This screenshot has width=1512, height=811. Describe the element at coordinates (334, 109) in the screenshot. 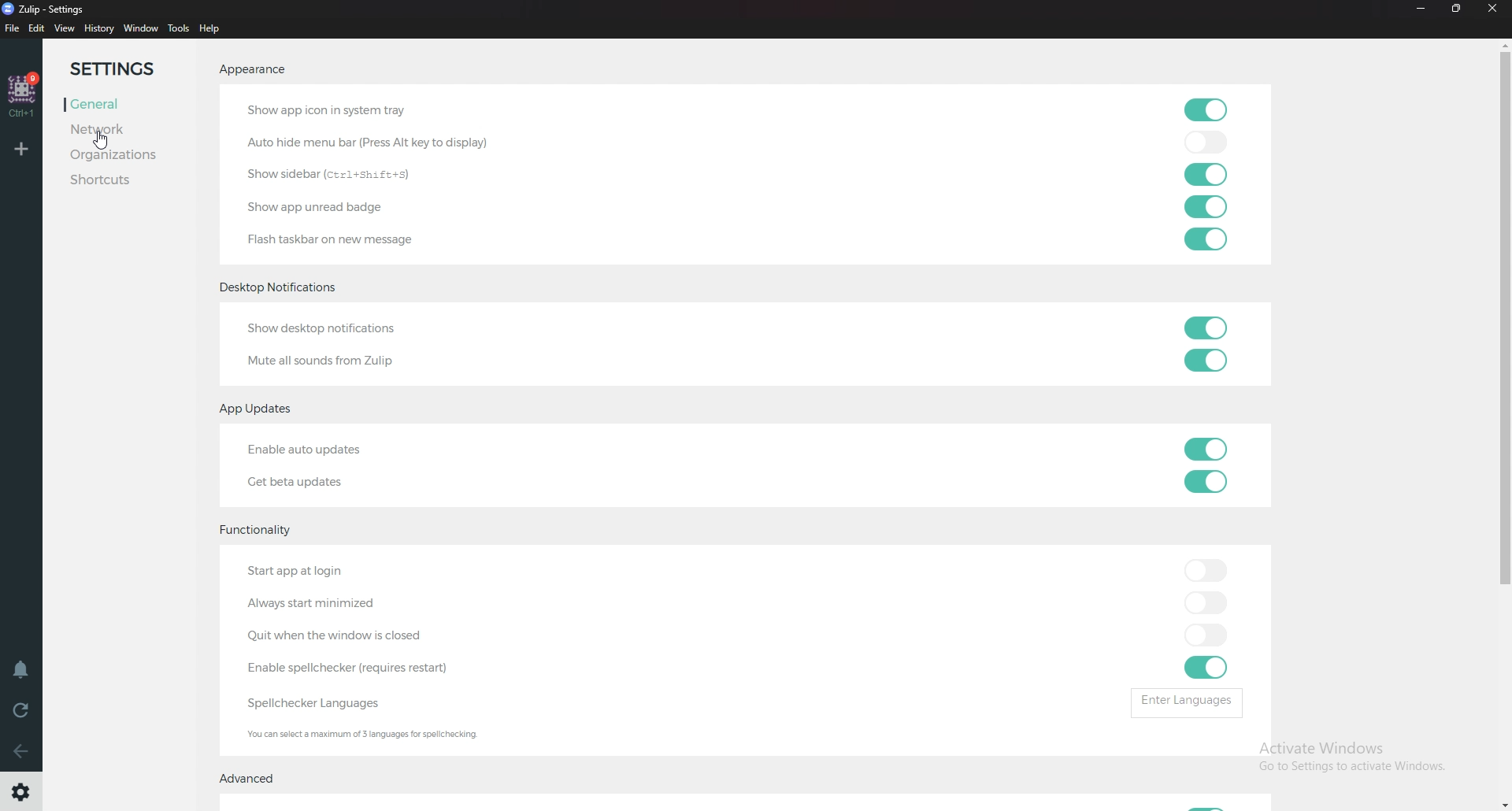

I see `Show app icon in system tray` at that location.